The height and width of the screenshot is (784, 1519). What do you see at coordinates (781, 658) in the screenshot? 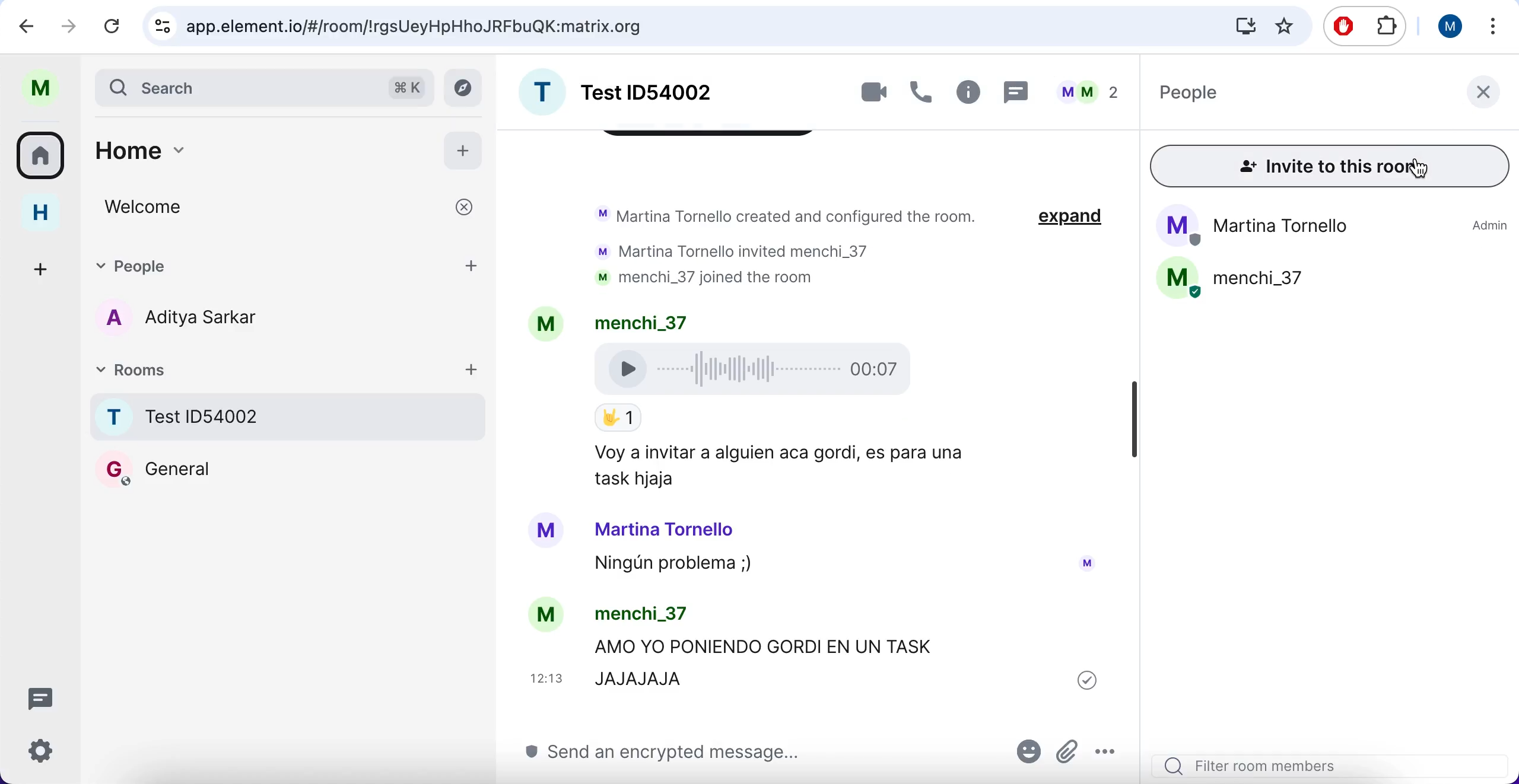
I see `AMO YO PONIENDO GORDI EN UN TASK
JAJAJAJA` at bounding box center [781, 658].